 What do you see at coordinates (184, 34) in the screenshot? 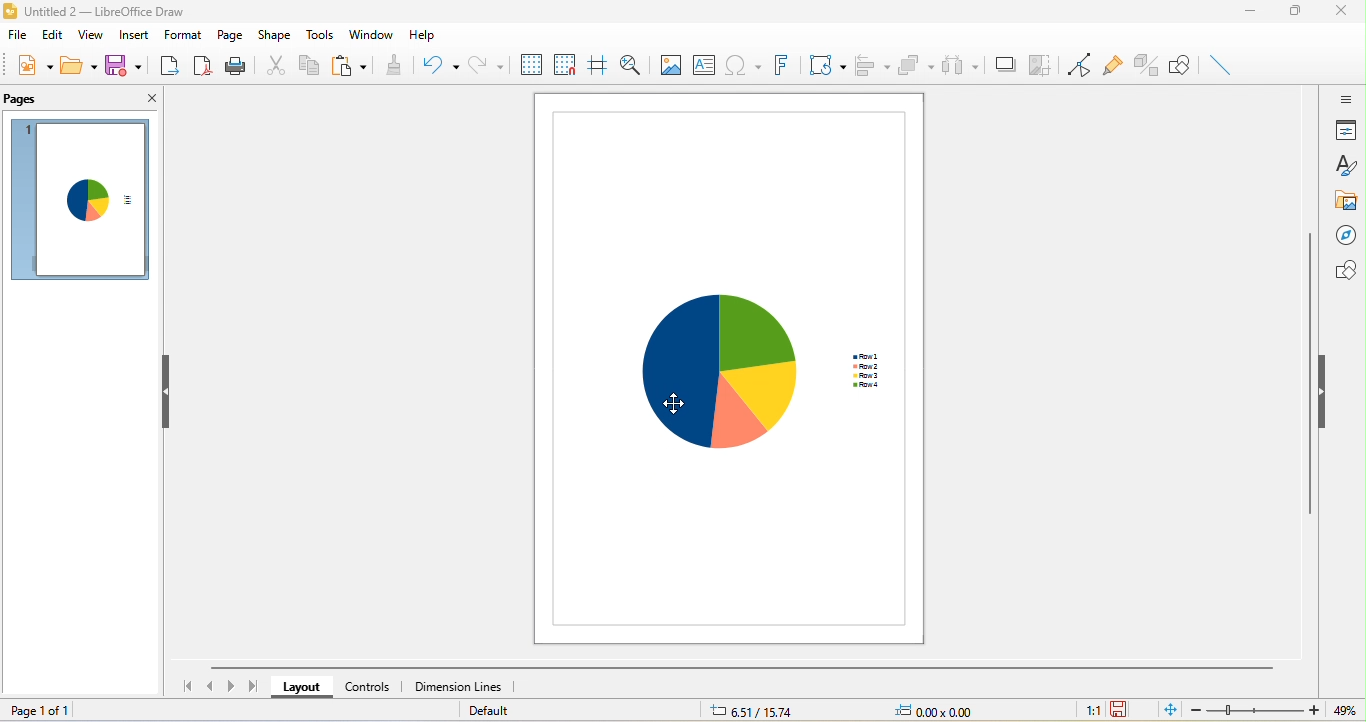
I see `format` at bounding box center [184, 34].